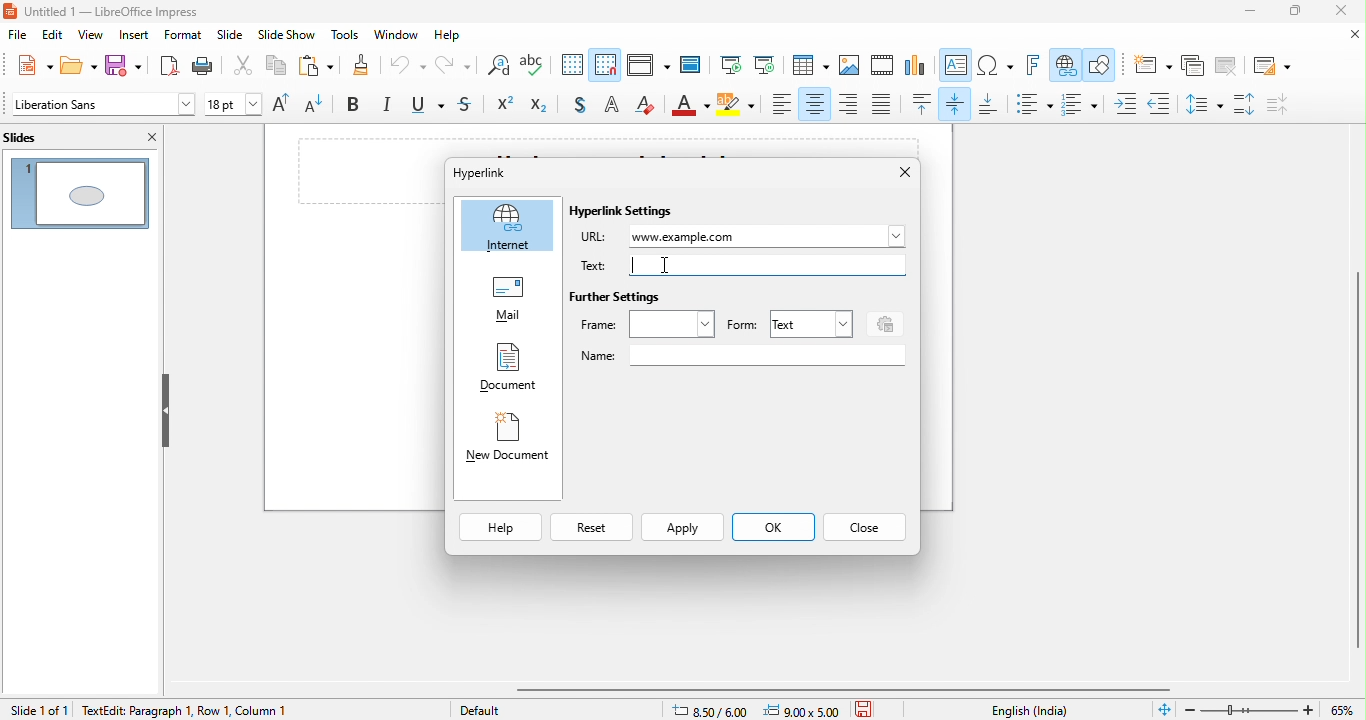  Describe the element at coordinates (287, 37) in the screenshot. I see `slide show` at that location.